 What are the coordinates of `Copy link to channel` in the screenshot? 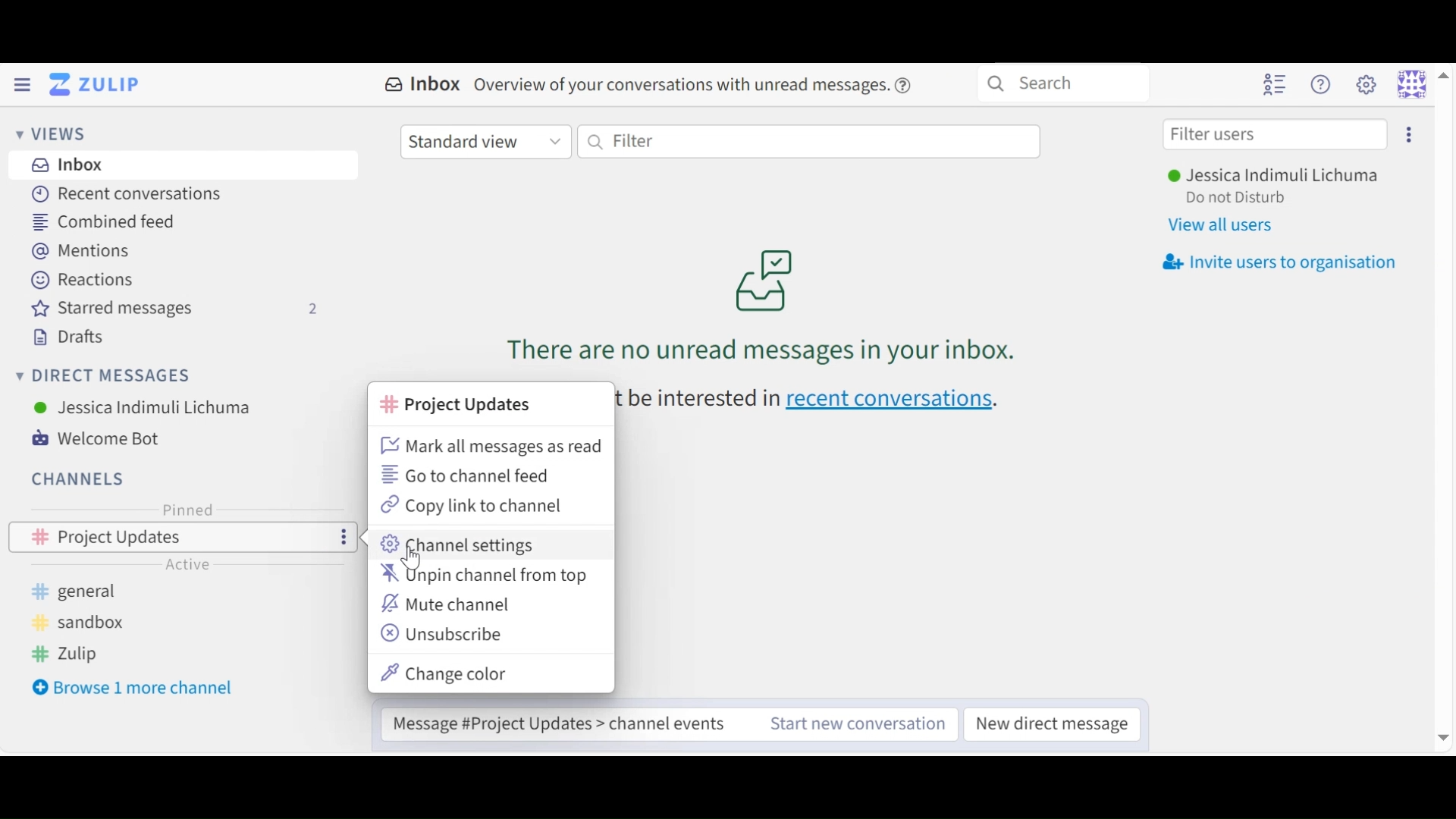 It's located at (472, 506).